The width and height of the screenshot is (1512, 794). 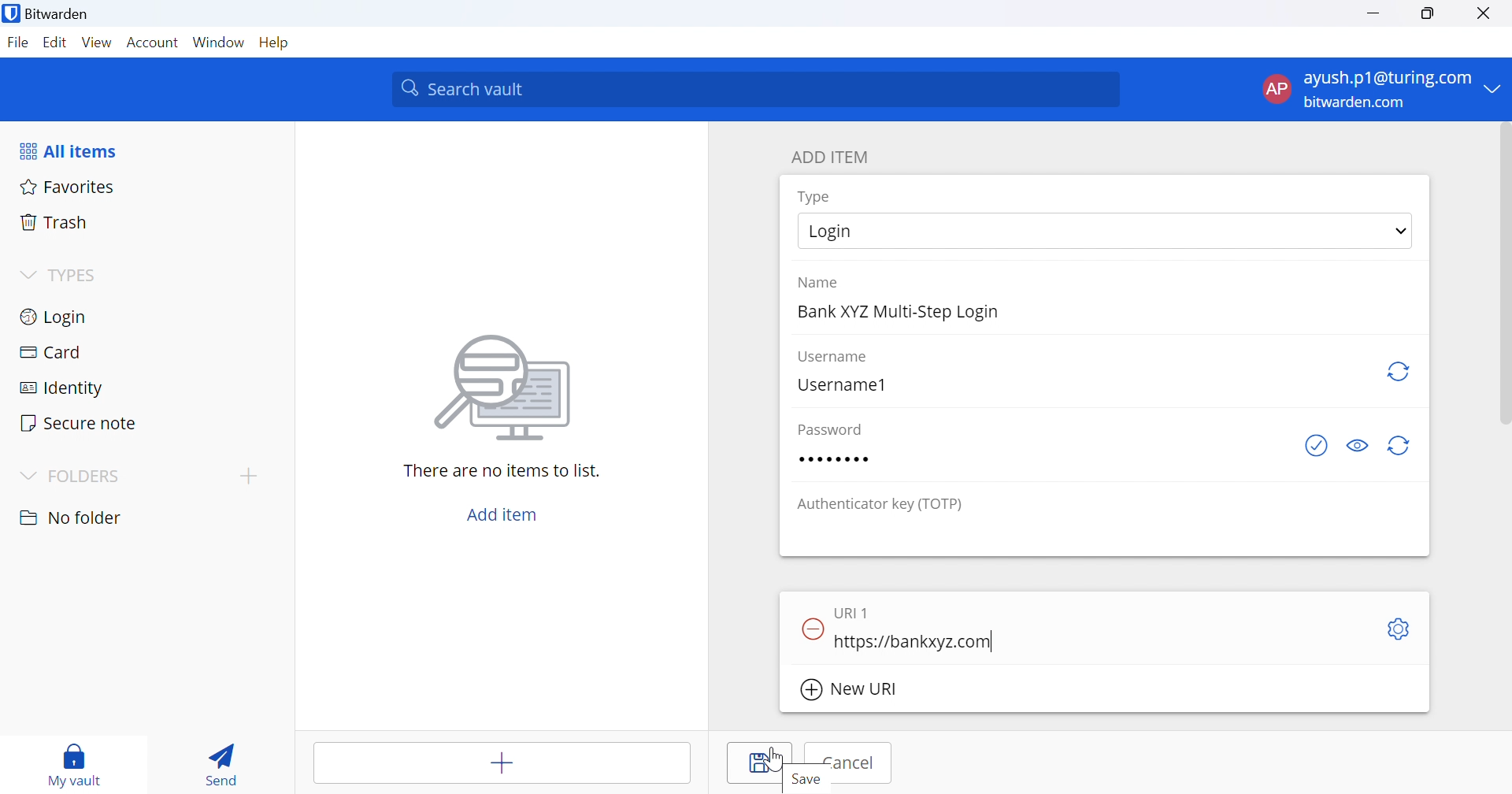 What do you see at coordinates (1402, 445) in the screenshot?
I see `Regenerate Password` at bounding box center [1402, 445].